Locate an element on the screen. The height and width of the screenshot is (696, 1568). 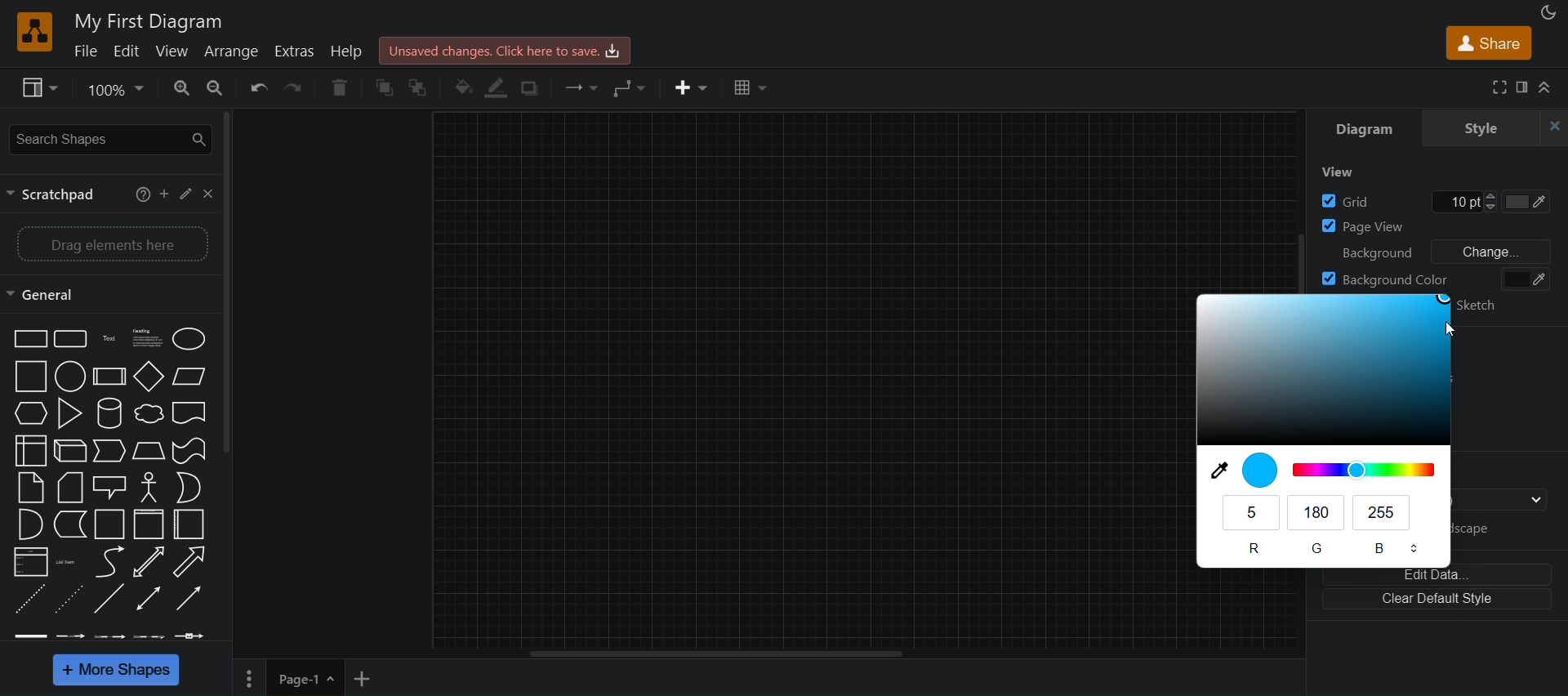
undo is located at coordinates (258, 88).